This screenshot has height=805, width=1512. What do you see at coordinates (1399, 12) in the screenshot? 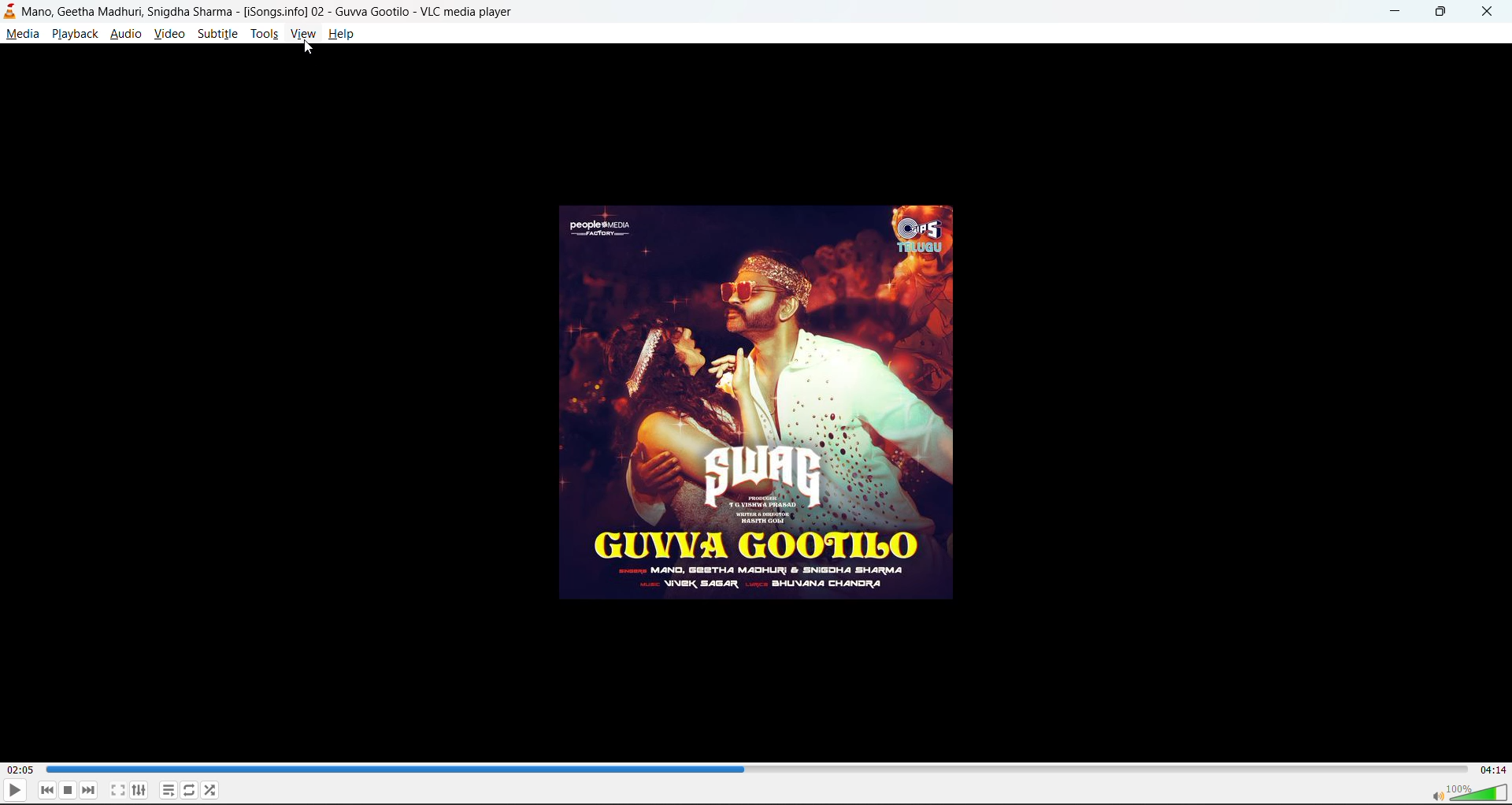
I see `minimize` at bounding box center [1399, 12].